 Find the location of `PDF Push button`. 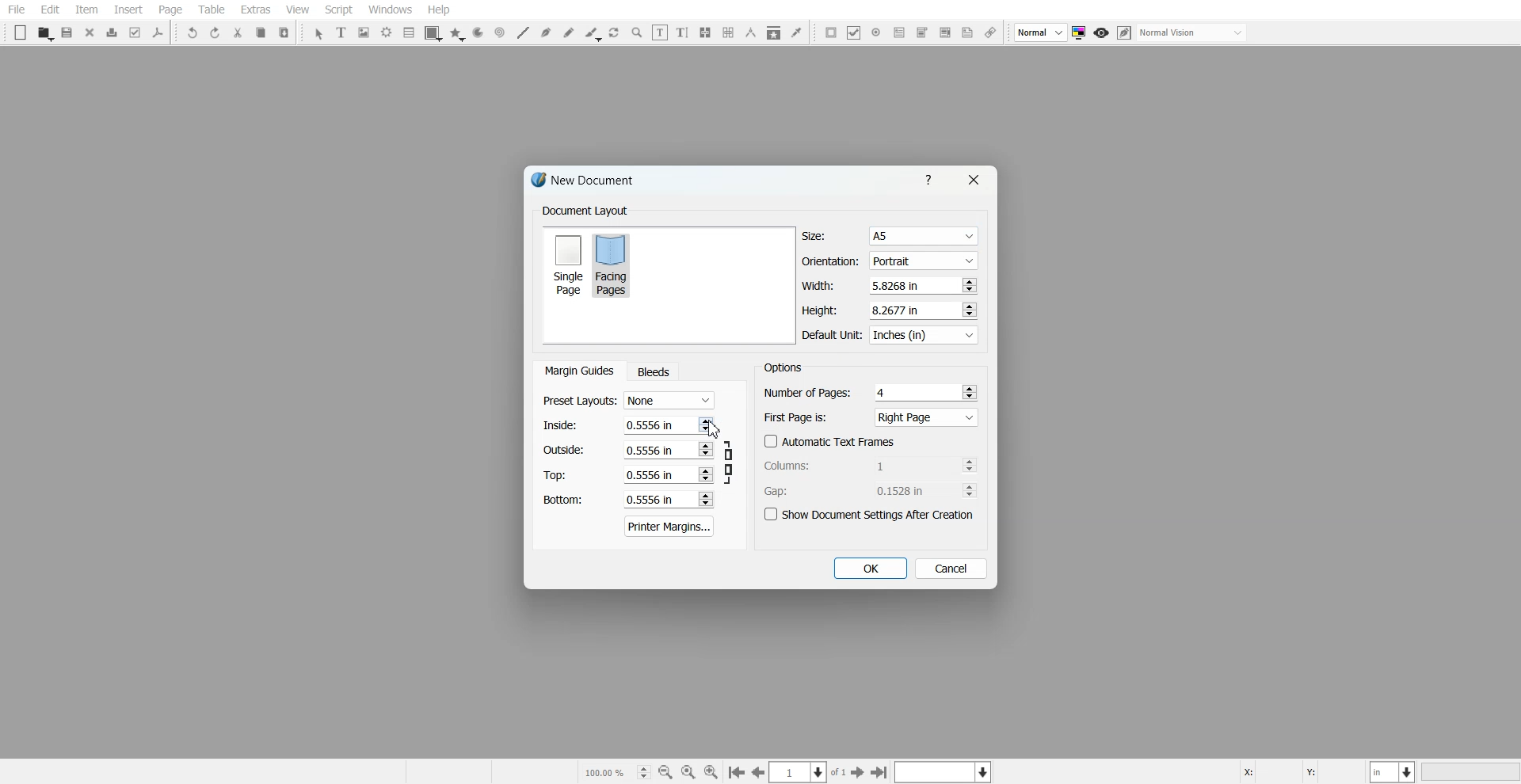

PDF Push button is located at coordinates (831, 32).